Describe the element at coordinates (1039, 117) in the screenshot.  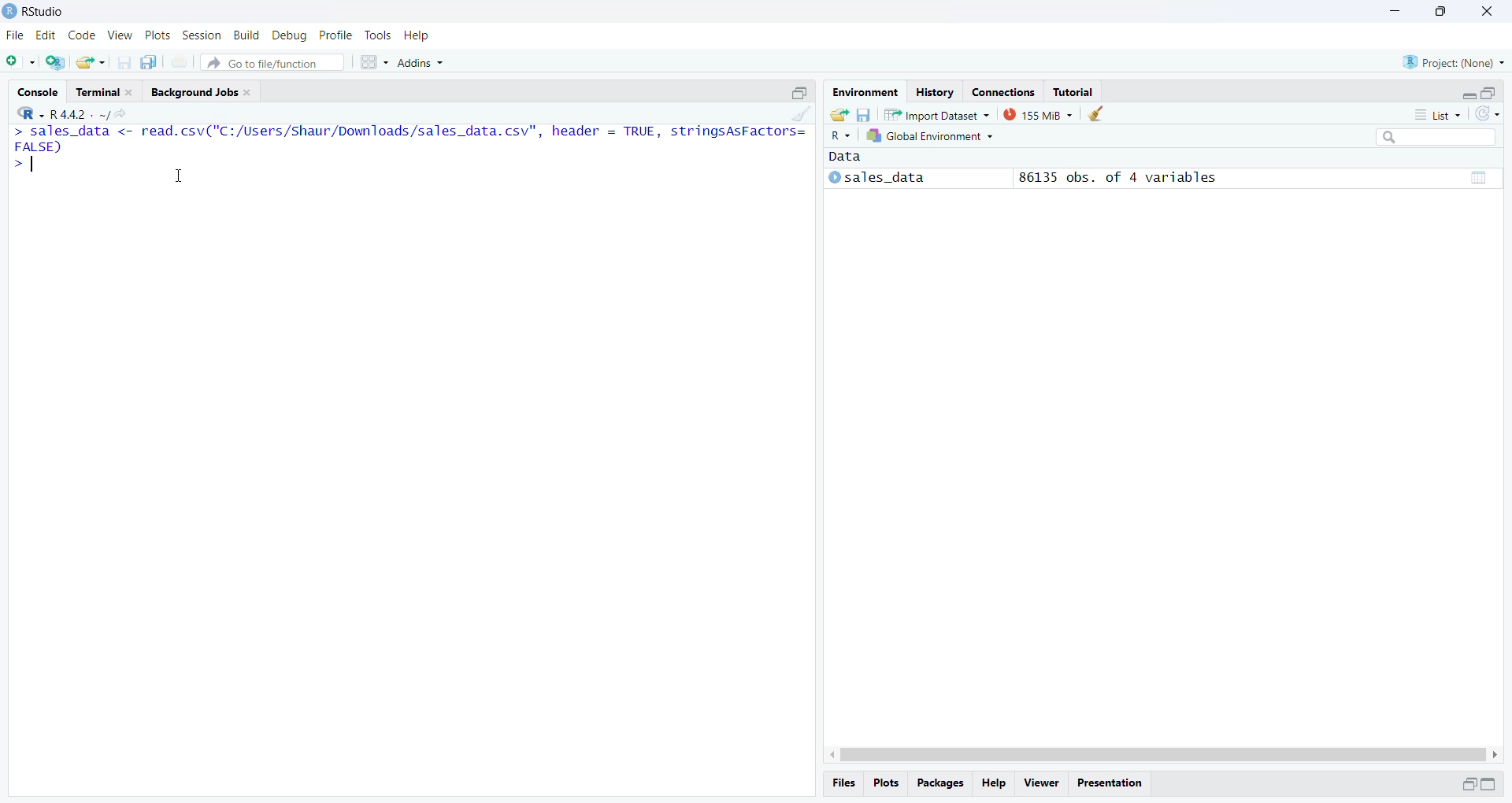
I see `133  MB used by R session` at that location.